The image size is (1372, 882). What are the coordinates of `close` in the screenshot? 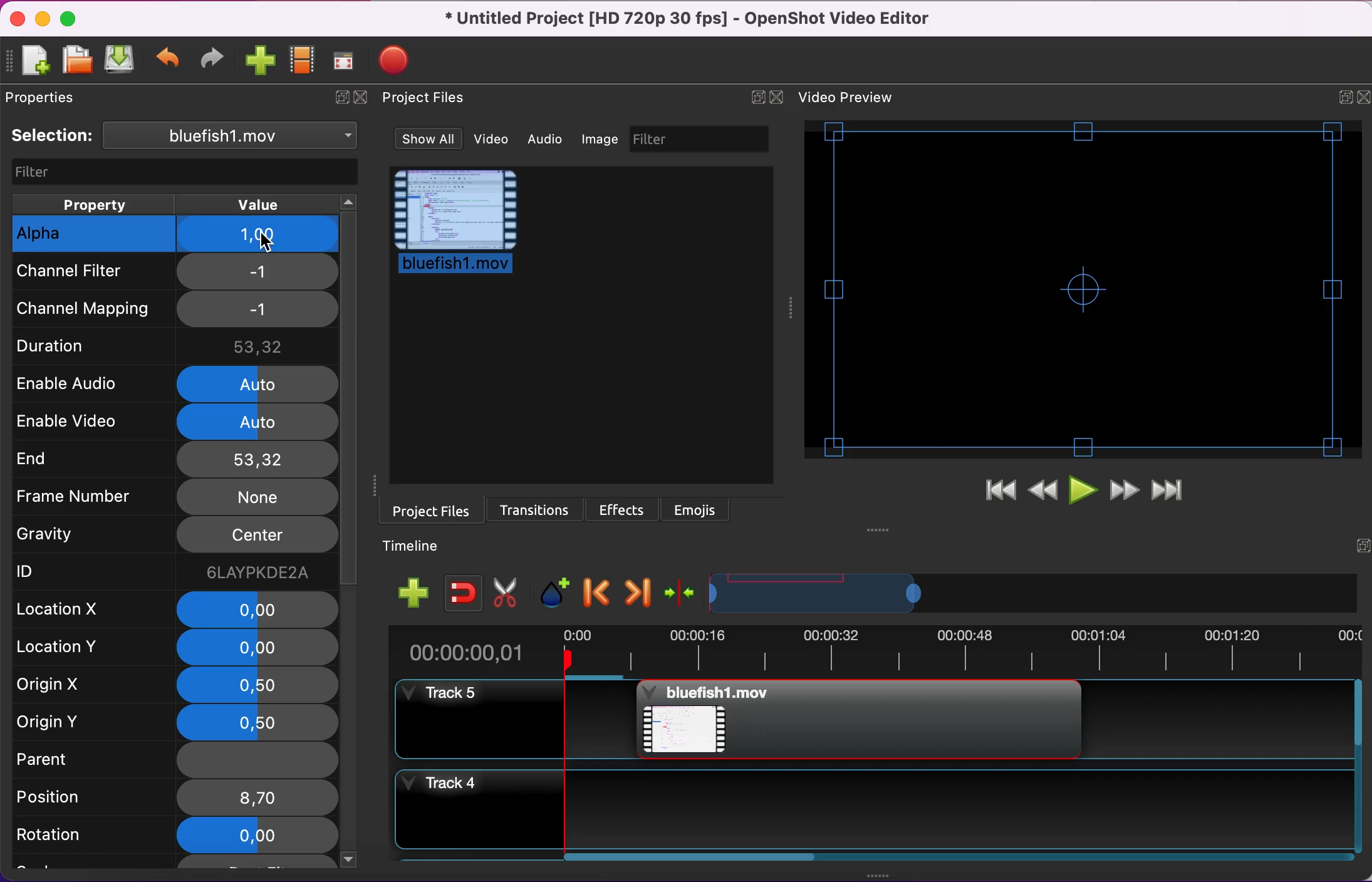 It's located at (1363, 98).